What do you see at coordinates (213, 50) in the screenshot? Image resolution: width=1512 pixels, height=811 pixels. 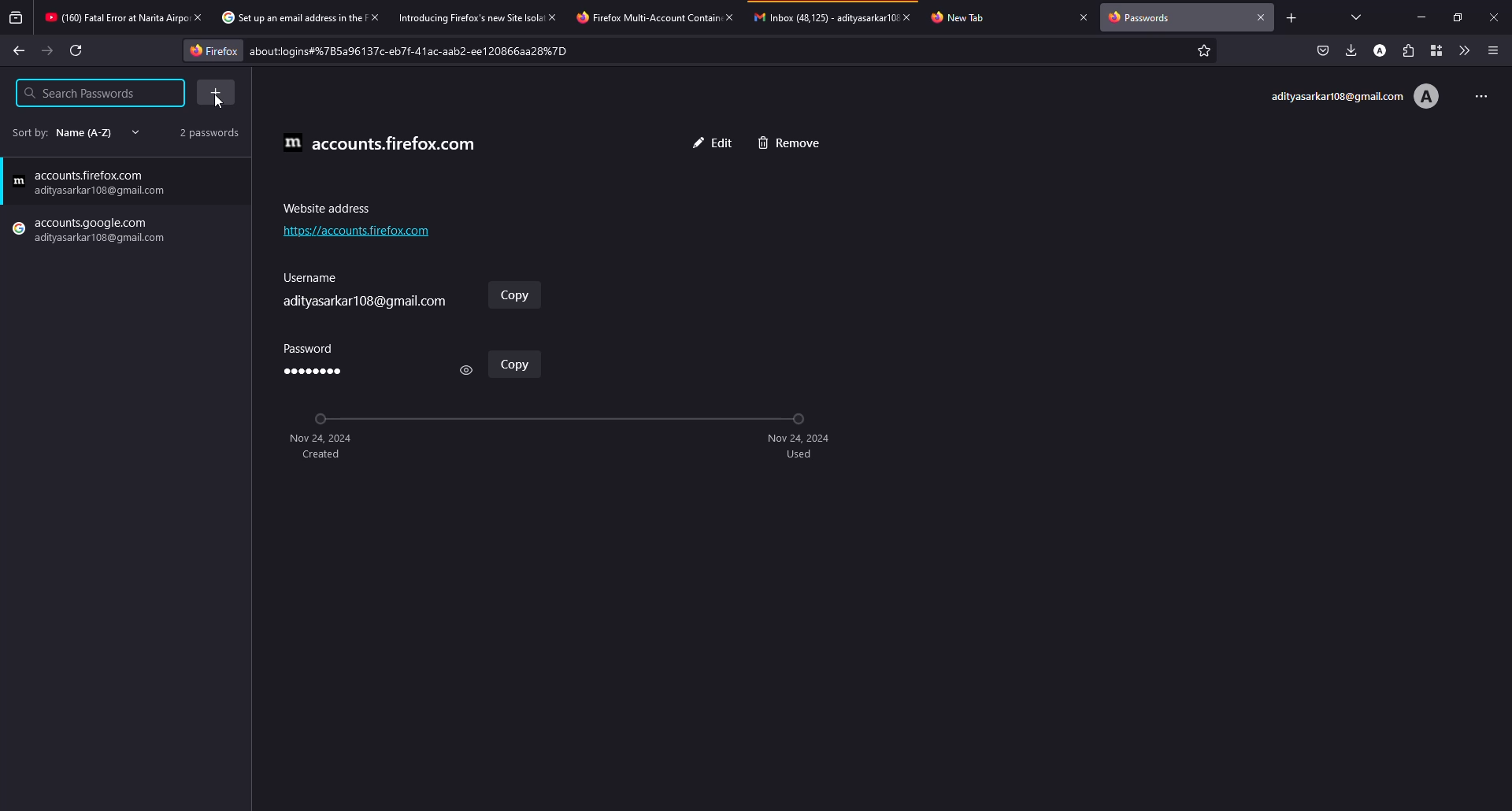 I see `firefox` at bounding box center [213, 50].